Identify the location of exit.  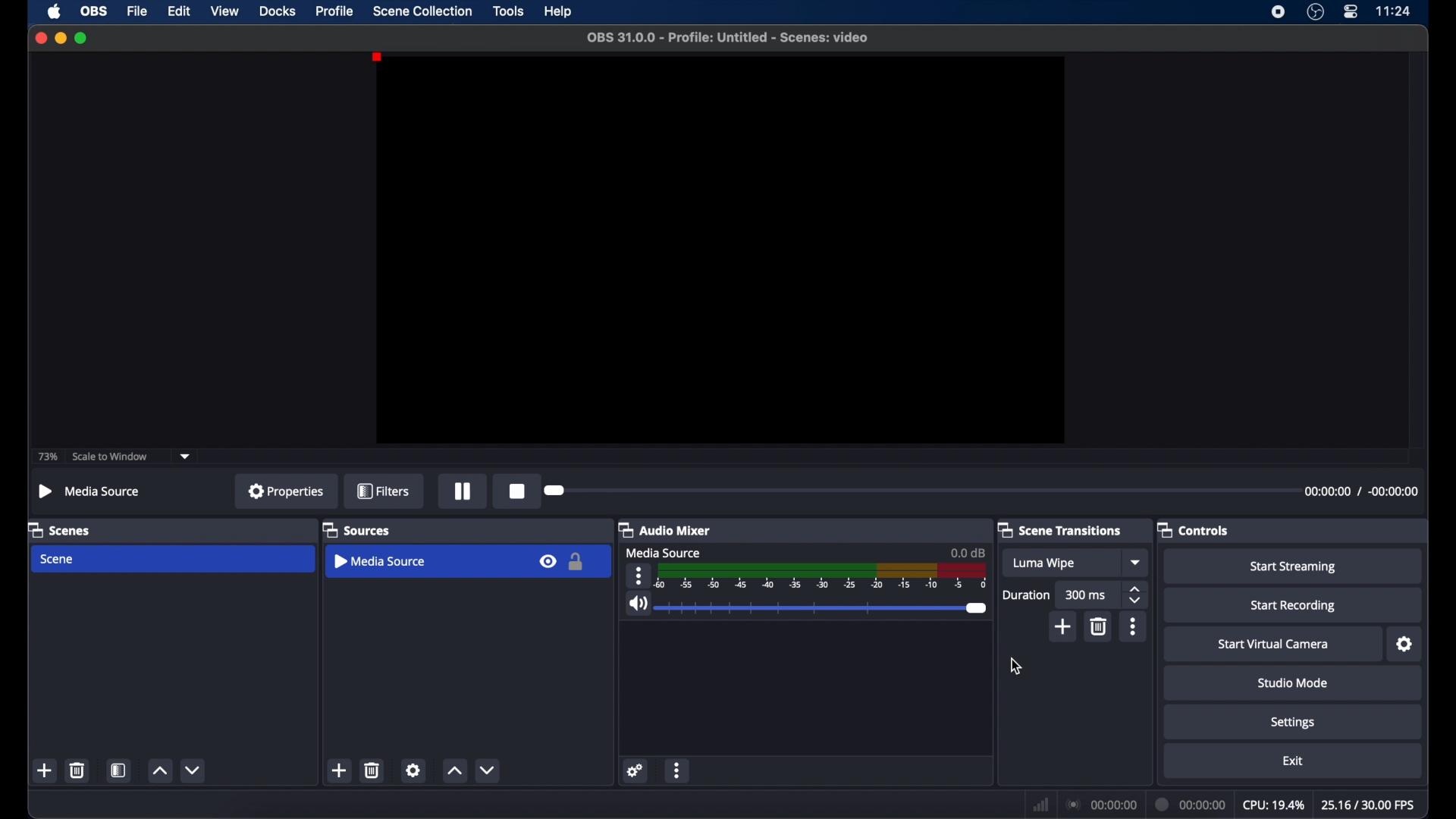
(1295, 761).